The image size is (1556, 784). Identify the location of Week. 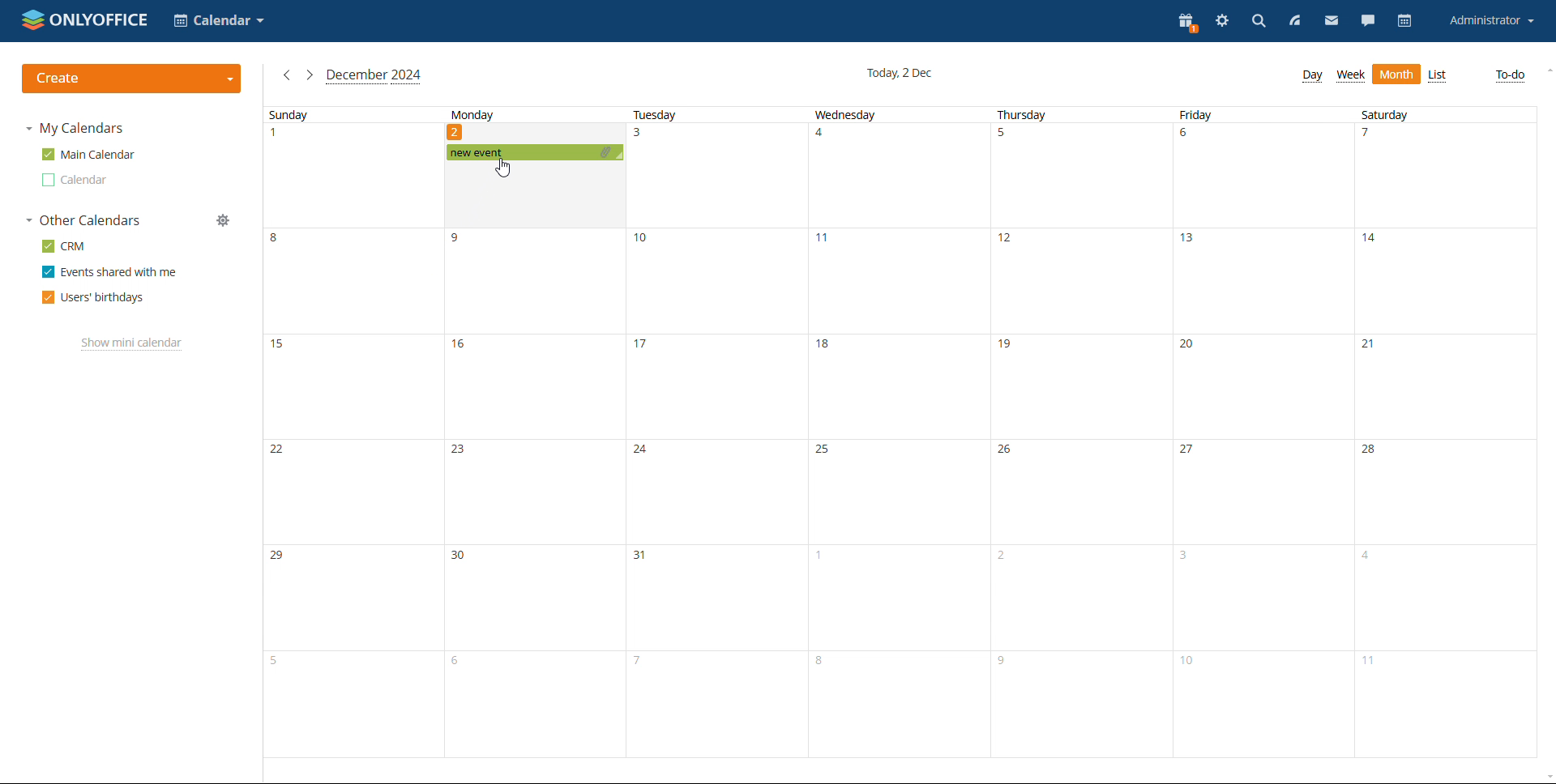
(1351, 75).